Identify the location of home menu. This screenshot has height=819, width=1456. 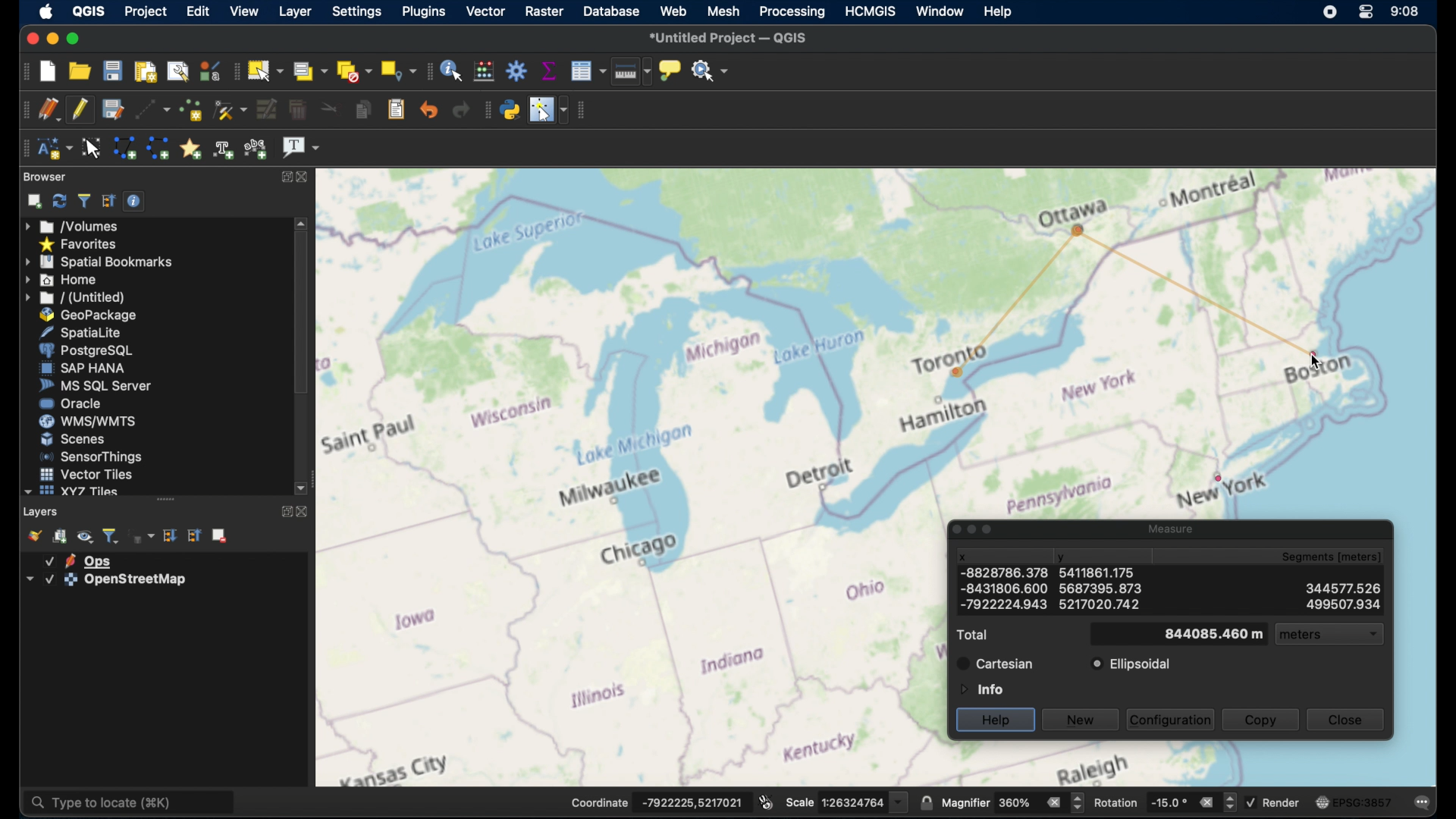
(67, 279).